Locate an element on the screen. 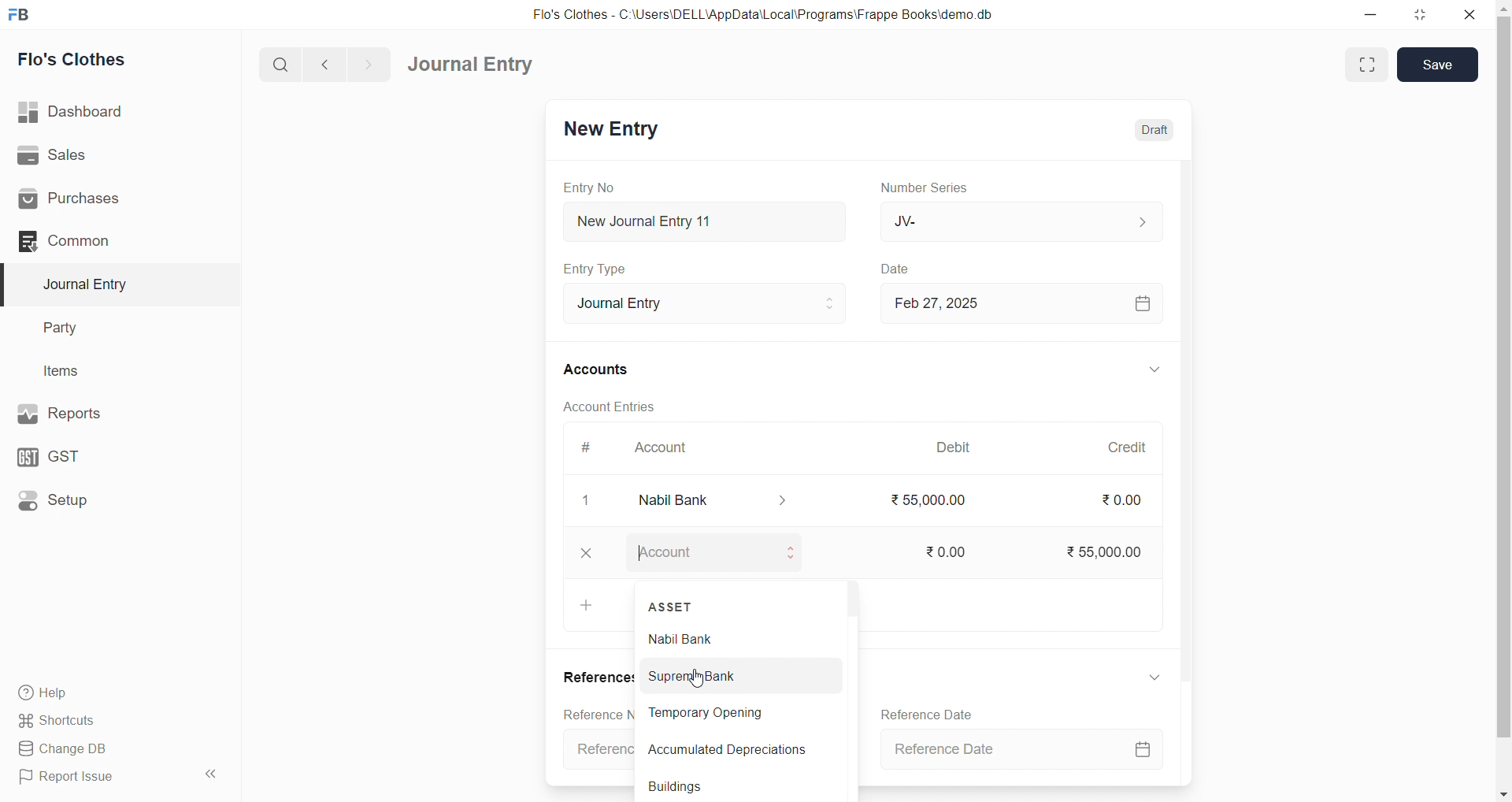 This screenshot has width=1512, height=802. close is located at coordinates (1473, 14).